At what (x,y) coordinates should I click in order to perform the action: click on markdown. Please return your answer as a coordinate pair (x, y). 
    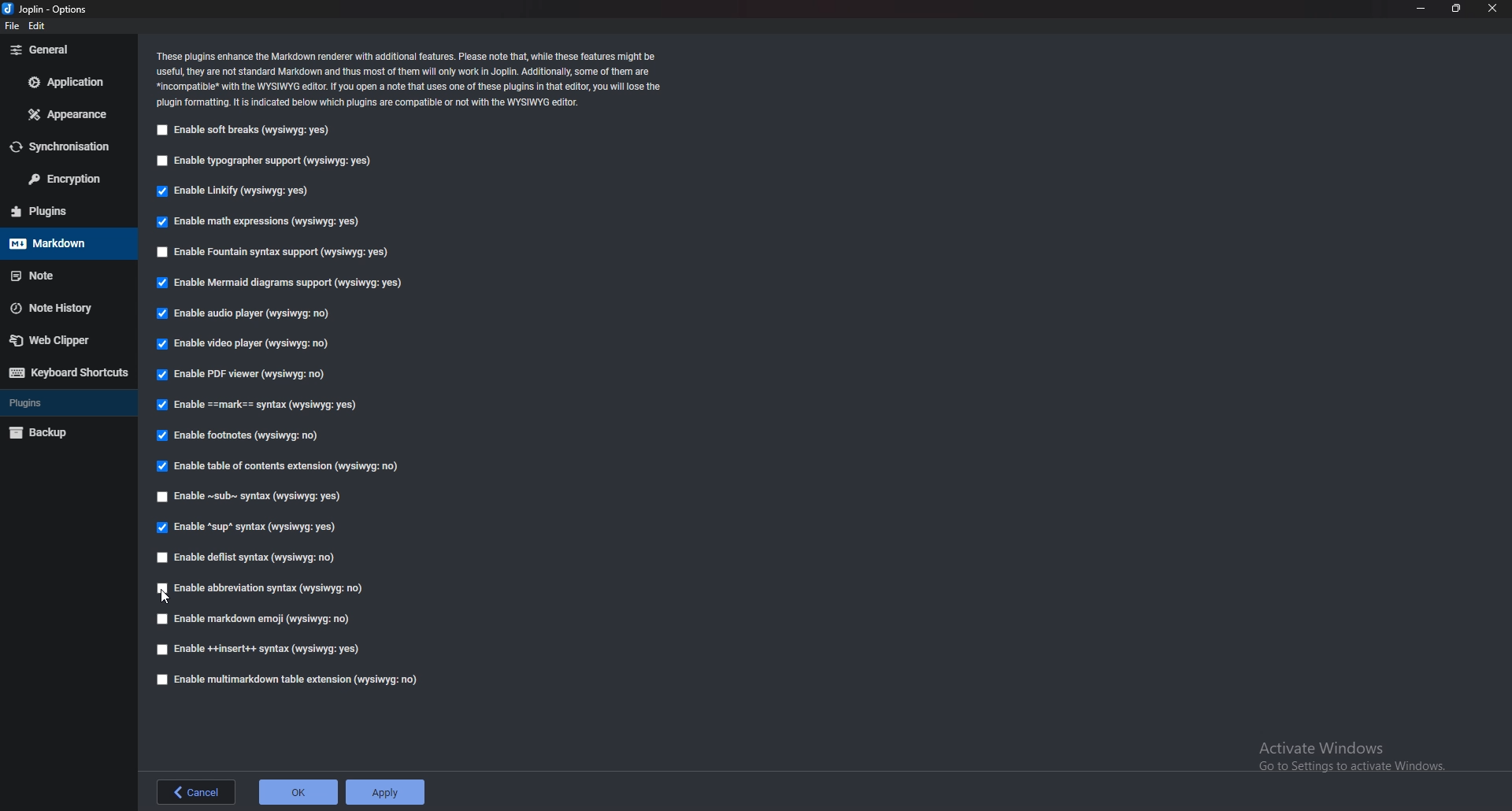
    Looking at the image, I should click on (69, 243).